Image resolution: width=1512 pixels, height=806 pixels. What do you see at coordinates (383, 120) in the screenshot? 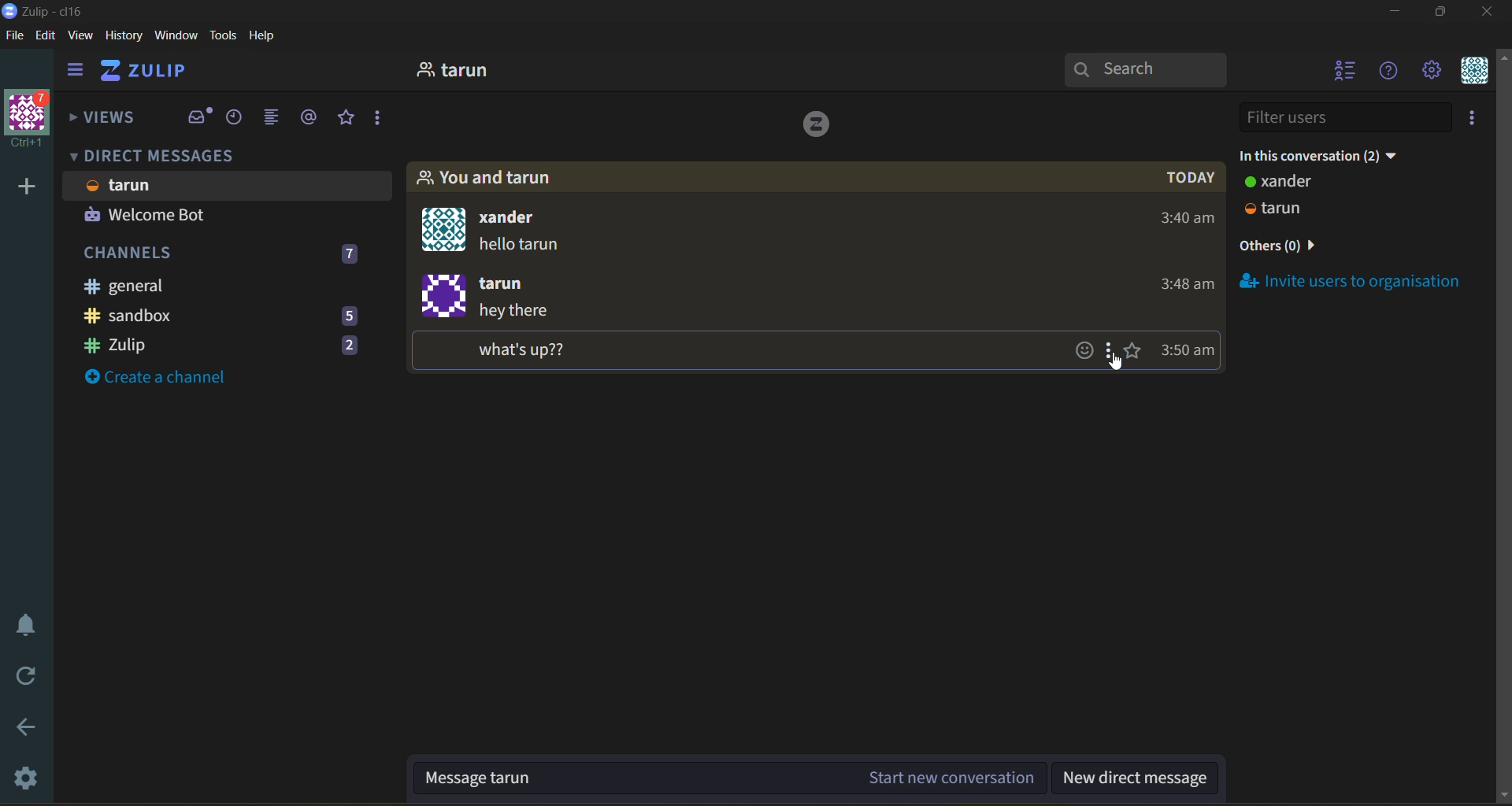
I see `reactions and drafts` at bounding box center [383, 120].